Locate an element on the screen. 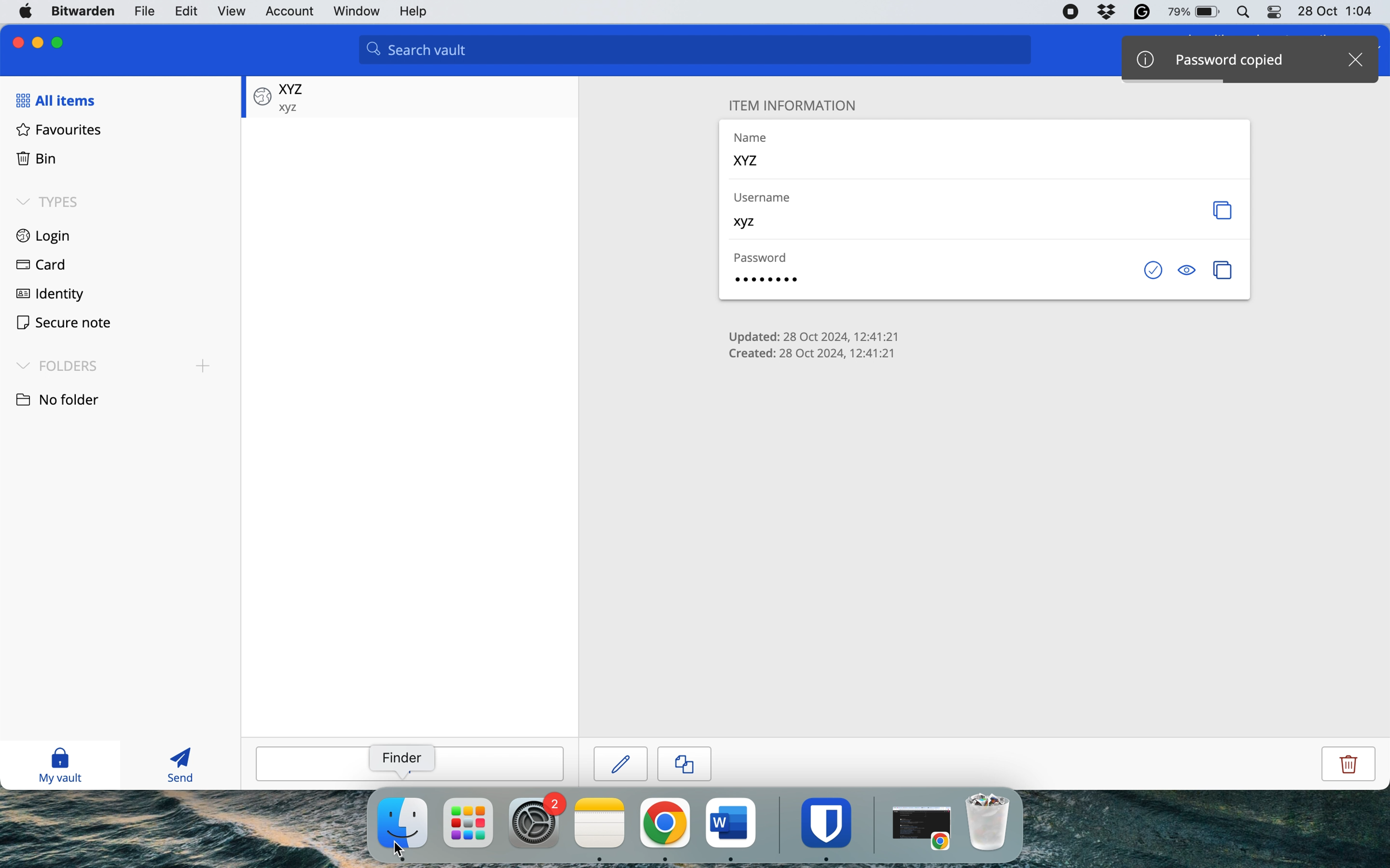  card is located at coordinates (40, 263).